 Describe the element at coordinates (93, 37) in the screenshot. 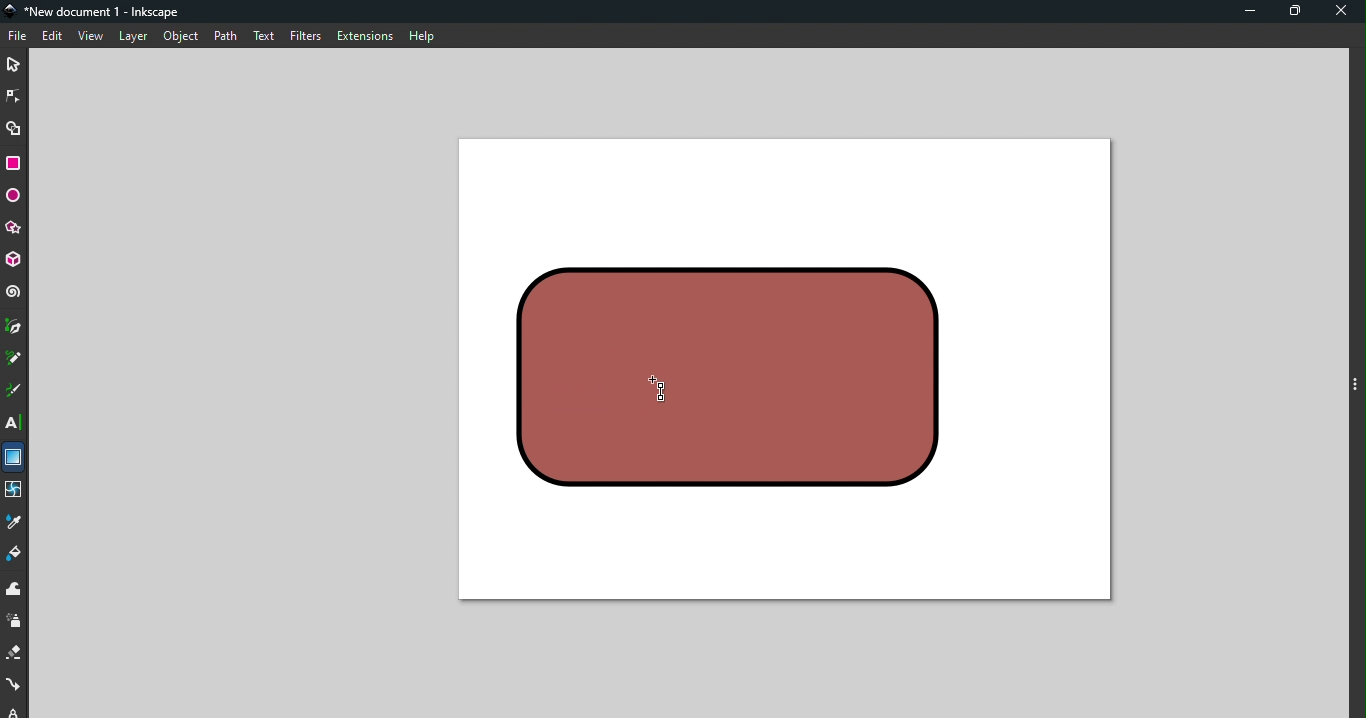

I see `View` at that location.